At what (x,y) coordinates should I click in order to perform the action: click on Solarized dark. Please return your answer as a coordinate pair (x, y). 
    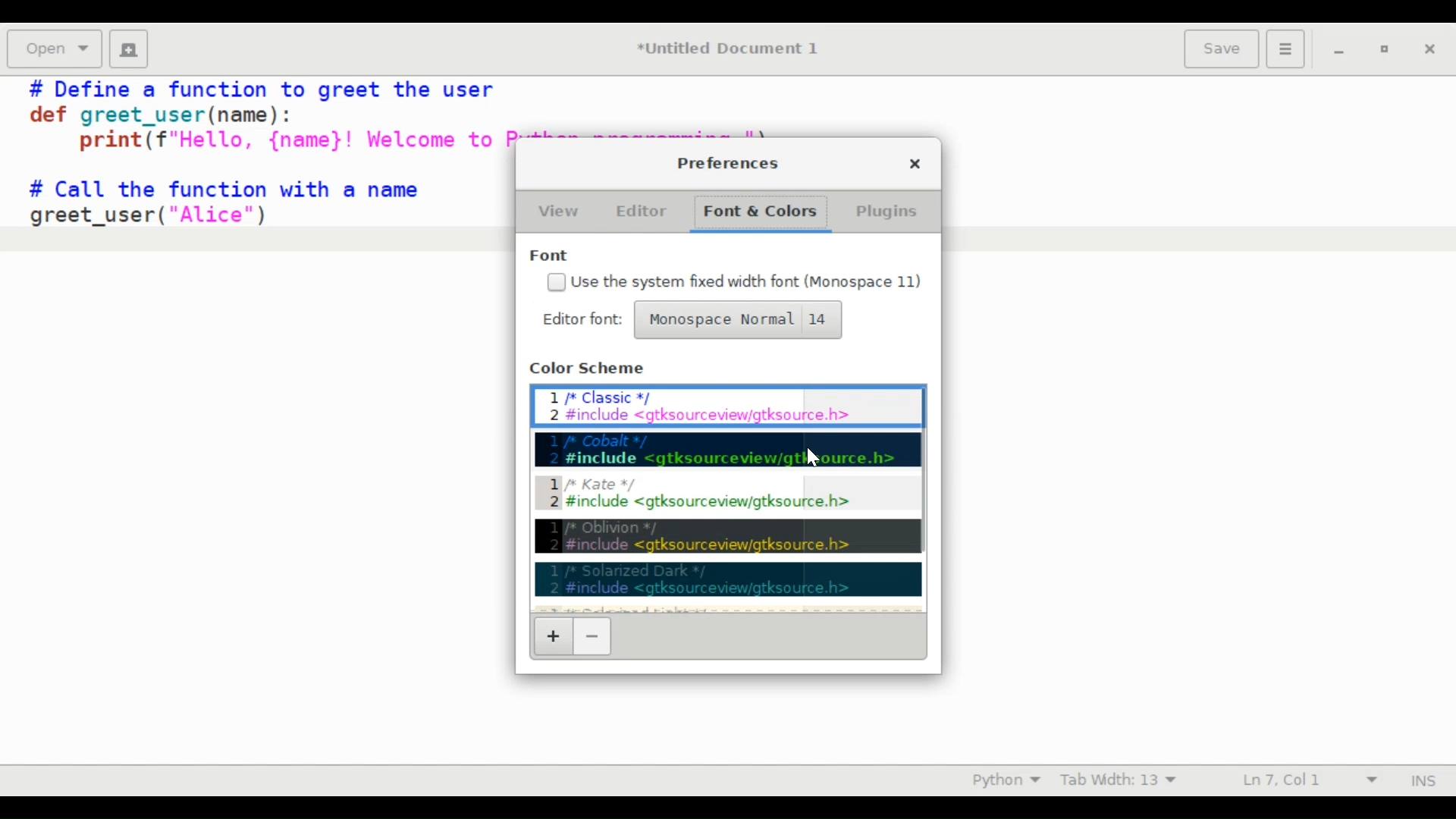
    Looking at the image, I should click on (729, 579).